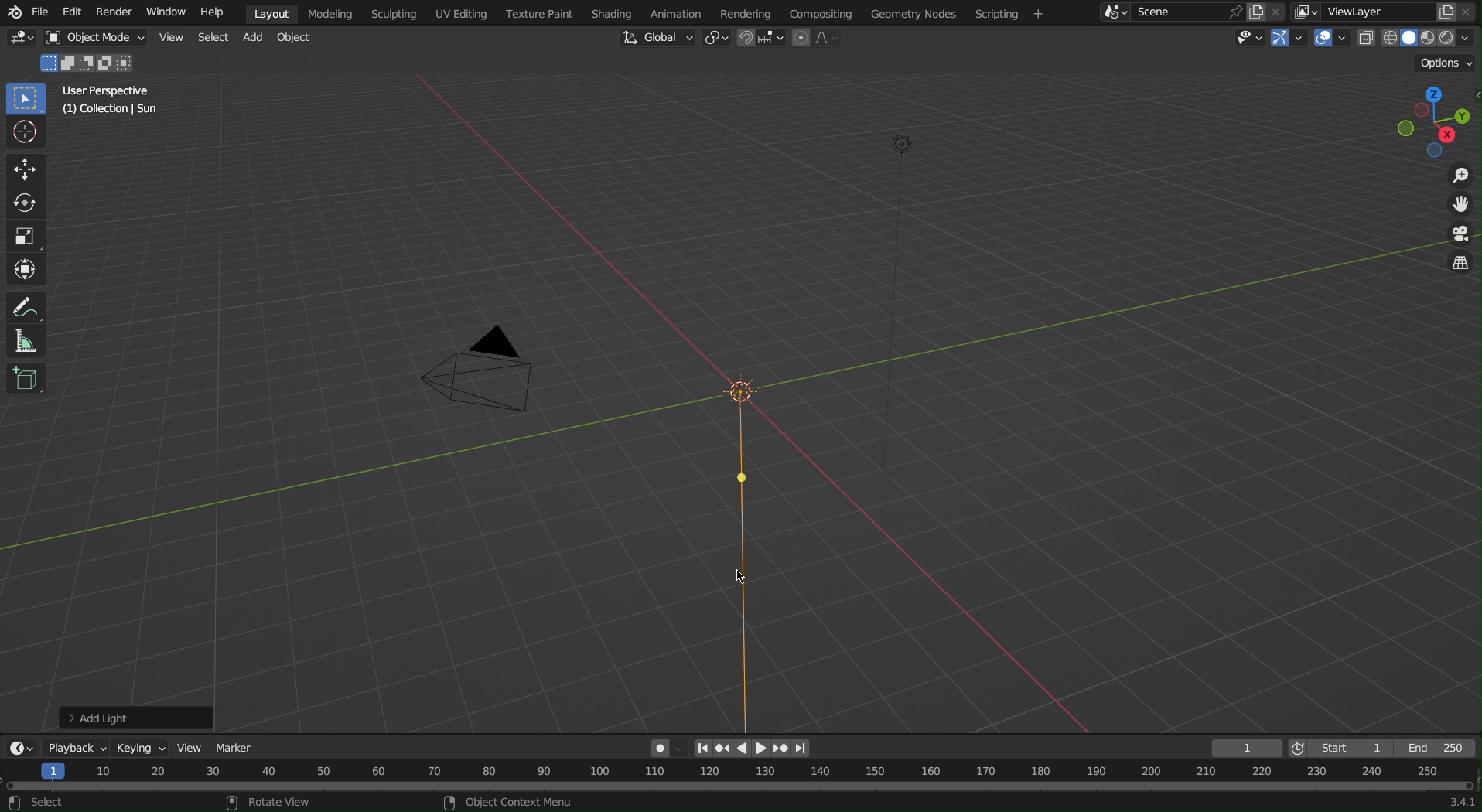  Describe the element at coordinates (217, 13) in the screenshot. I see `Help` at that location.